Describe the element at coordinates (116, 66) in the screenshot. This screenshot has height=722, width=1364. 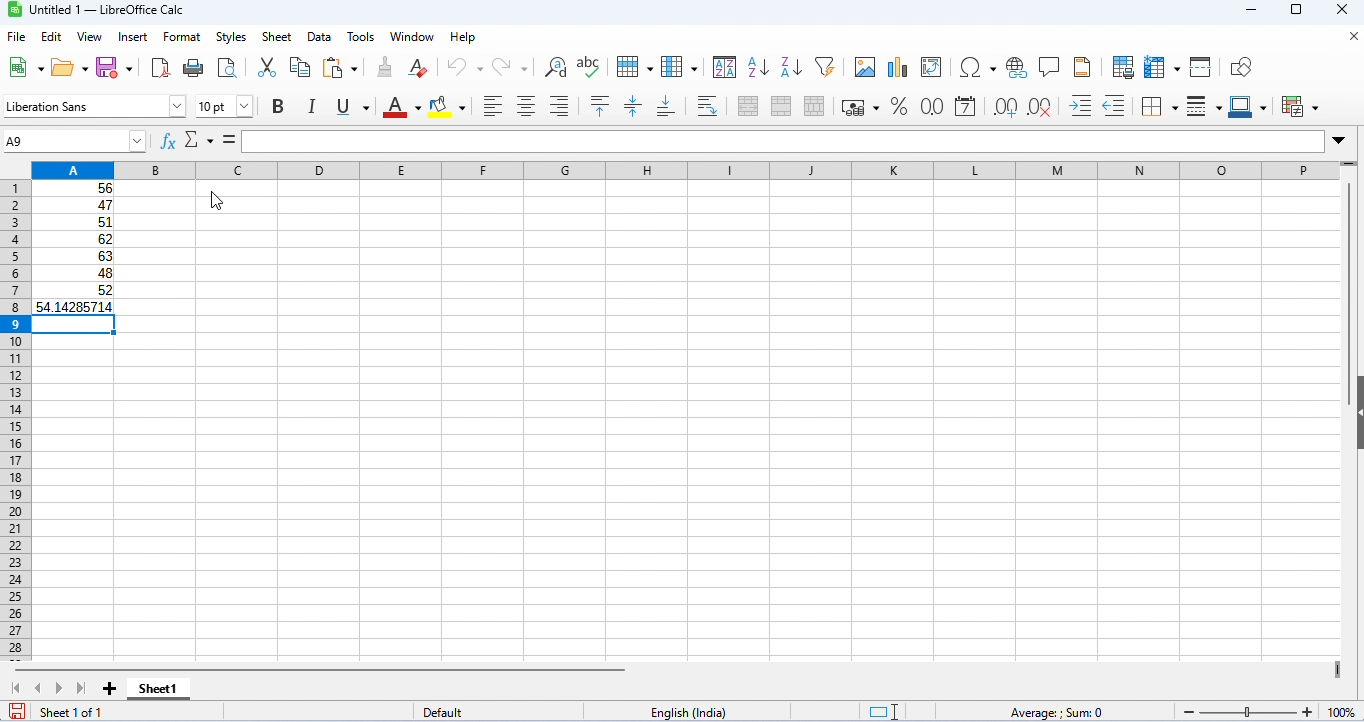
I see `save` at that location.